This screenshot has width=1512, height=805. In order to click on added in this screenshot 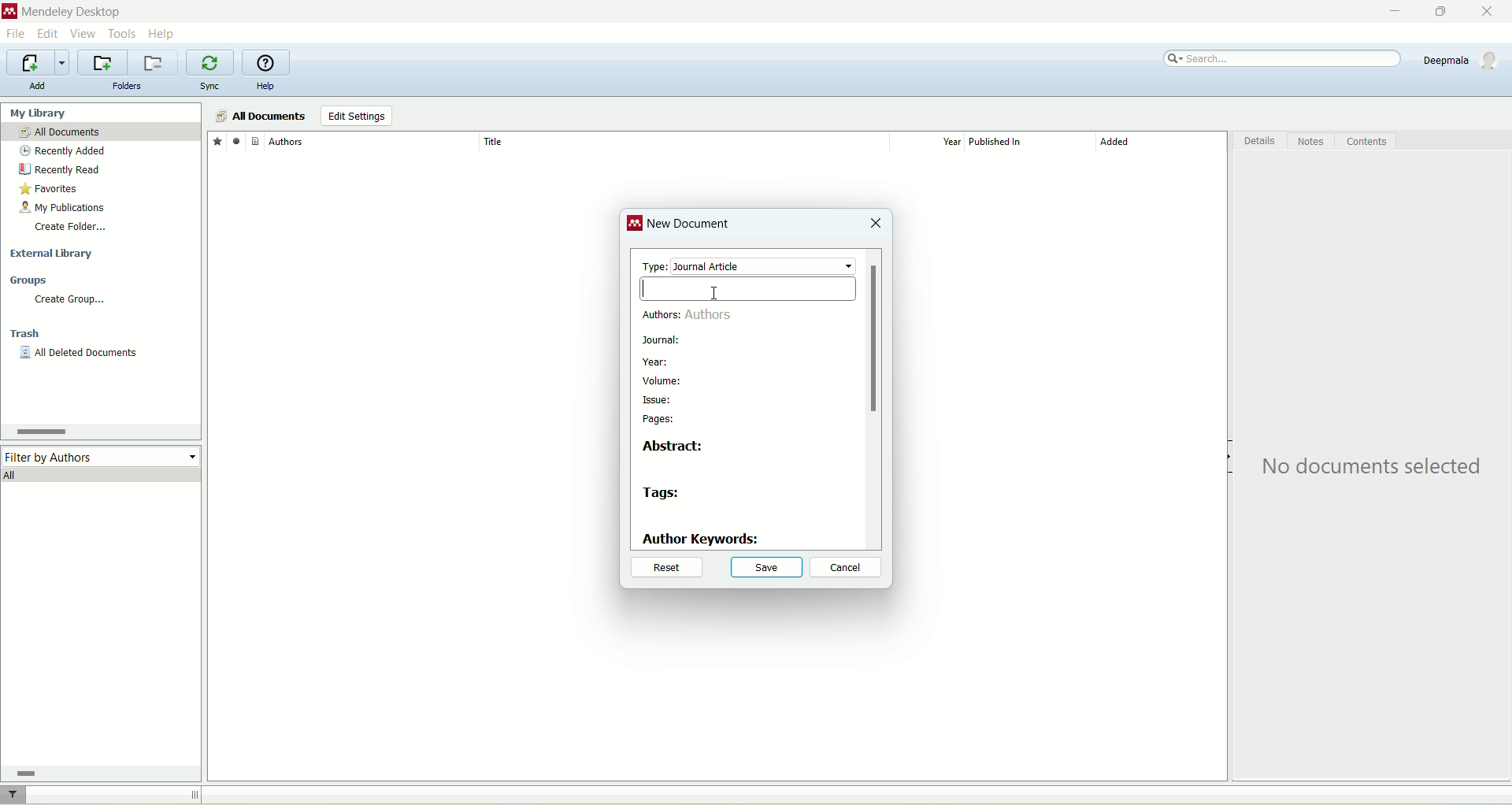, I will do `click(1162, 146)`.